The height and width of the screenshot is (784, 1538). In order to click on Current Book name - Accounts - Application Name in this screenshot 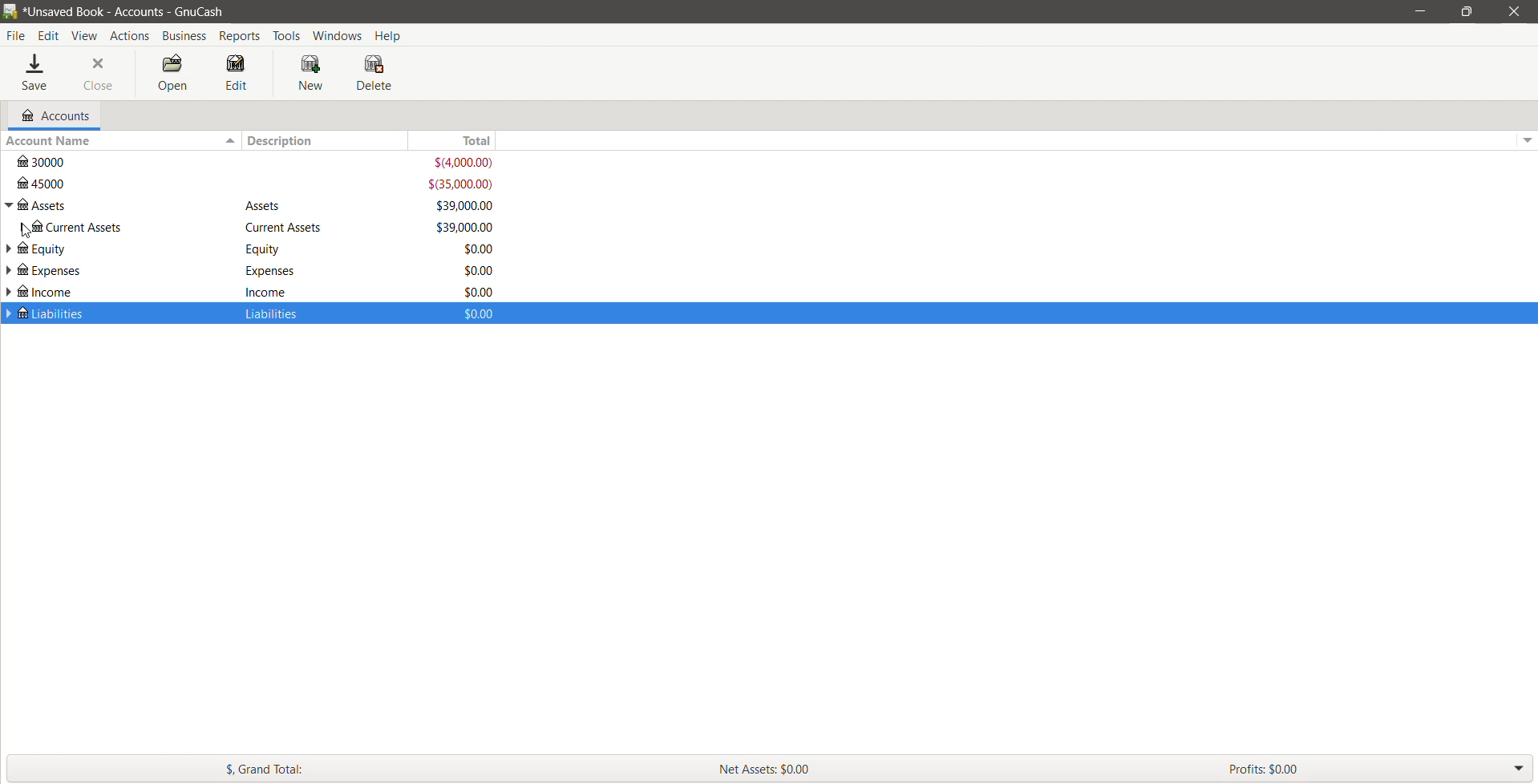, I will do `click(128, 11)`.